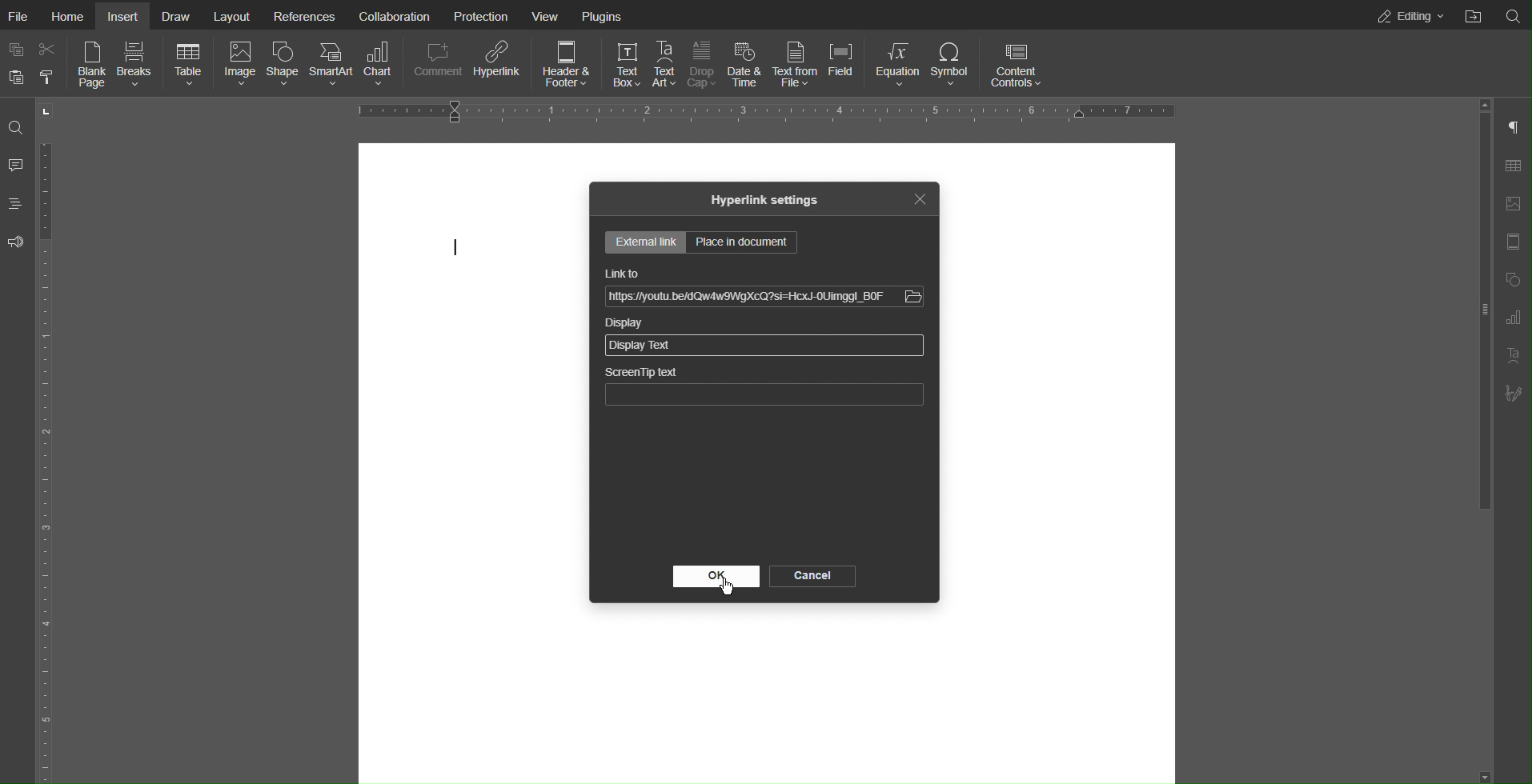  Describe the element at coordinates (565, 63) in the screenshot. I see `Header & Footer` at that location.